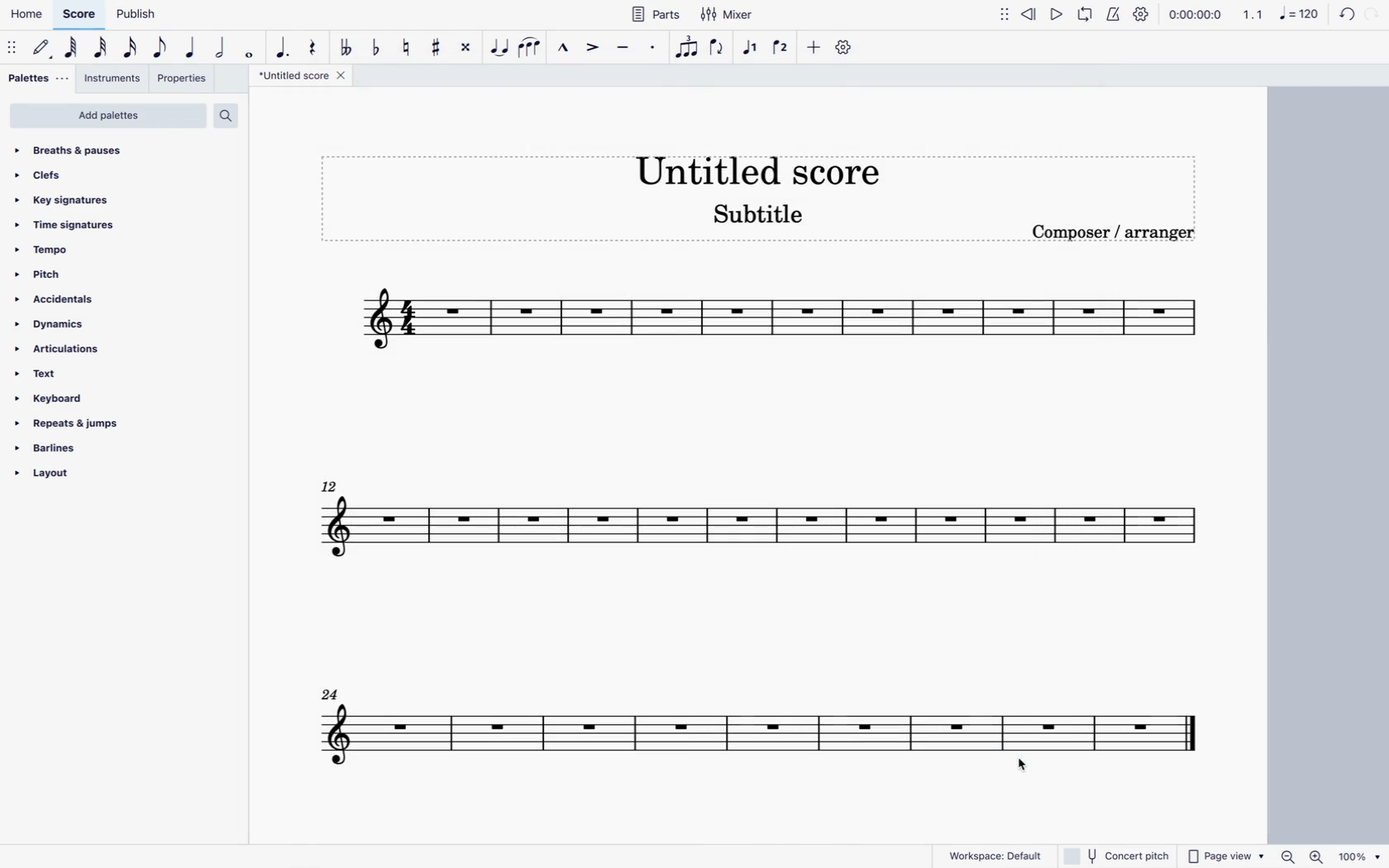 The image size is (1389, 868). Describe the element at coordinates (51, 325) in the screenshot. I see `dynamics` at that location.